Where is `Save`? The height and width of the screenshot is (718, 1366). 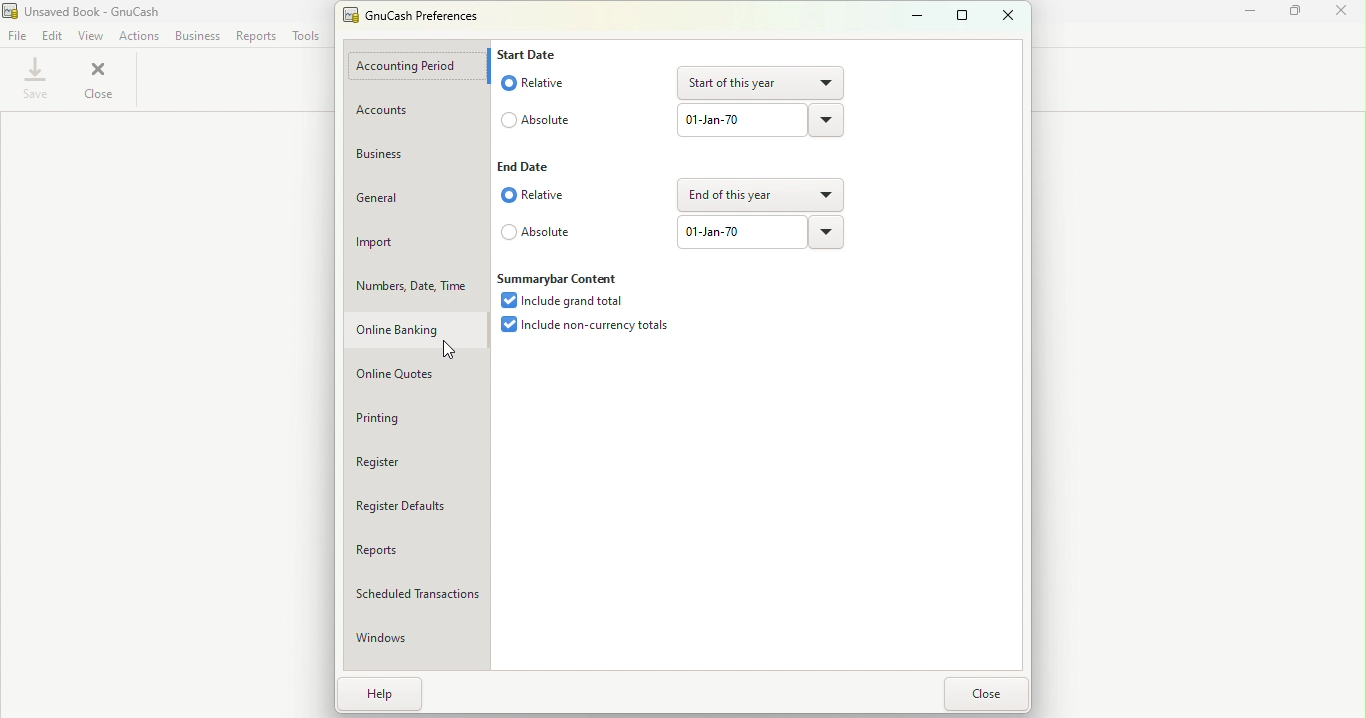
Save is located at coordinates (35, 82).